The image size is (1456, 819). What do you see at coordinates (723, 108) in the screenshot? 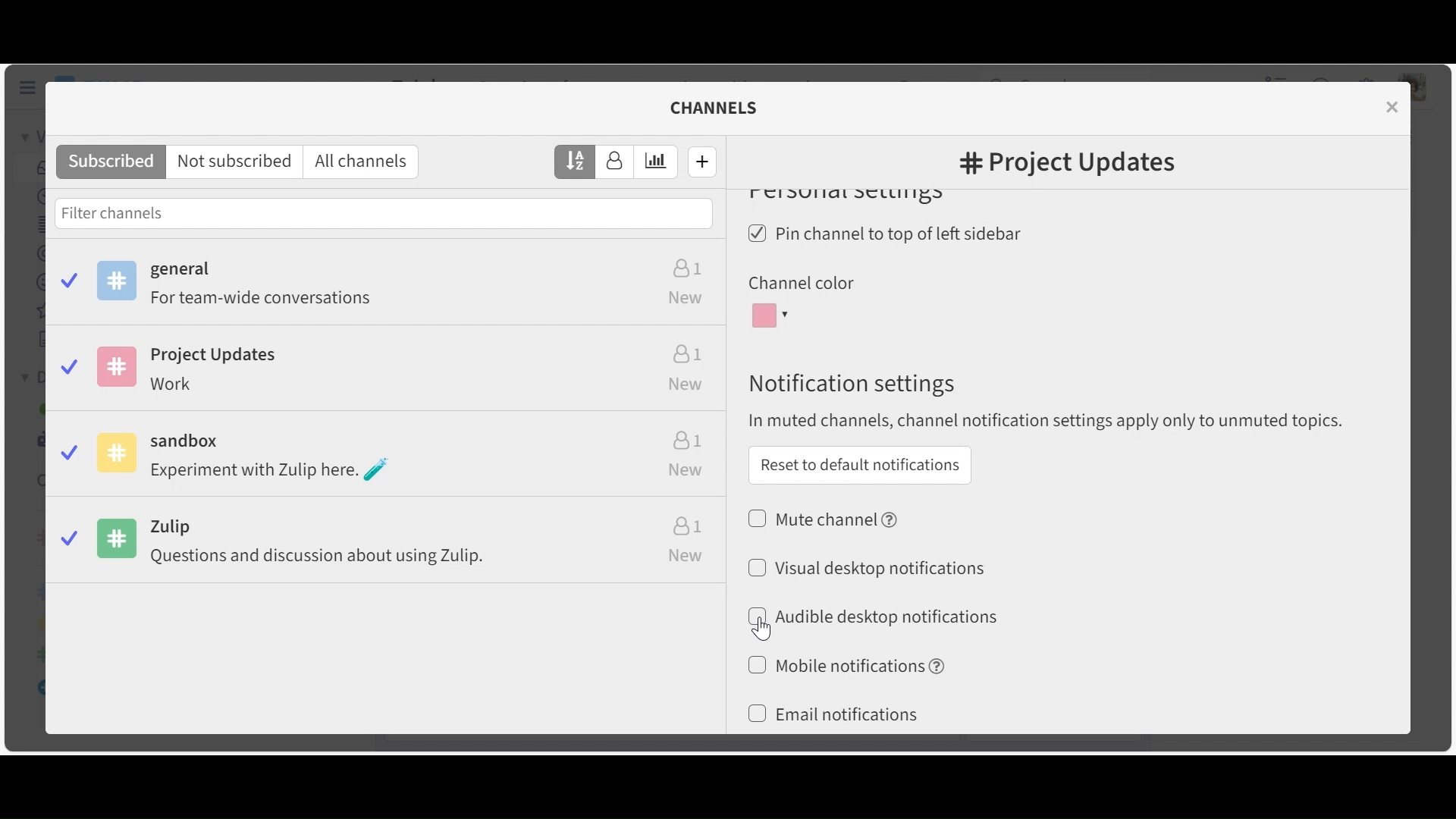
I see `channels` at bounding box center [723, 108].